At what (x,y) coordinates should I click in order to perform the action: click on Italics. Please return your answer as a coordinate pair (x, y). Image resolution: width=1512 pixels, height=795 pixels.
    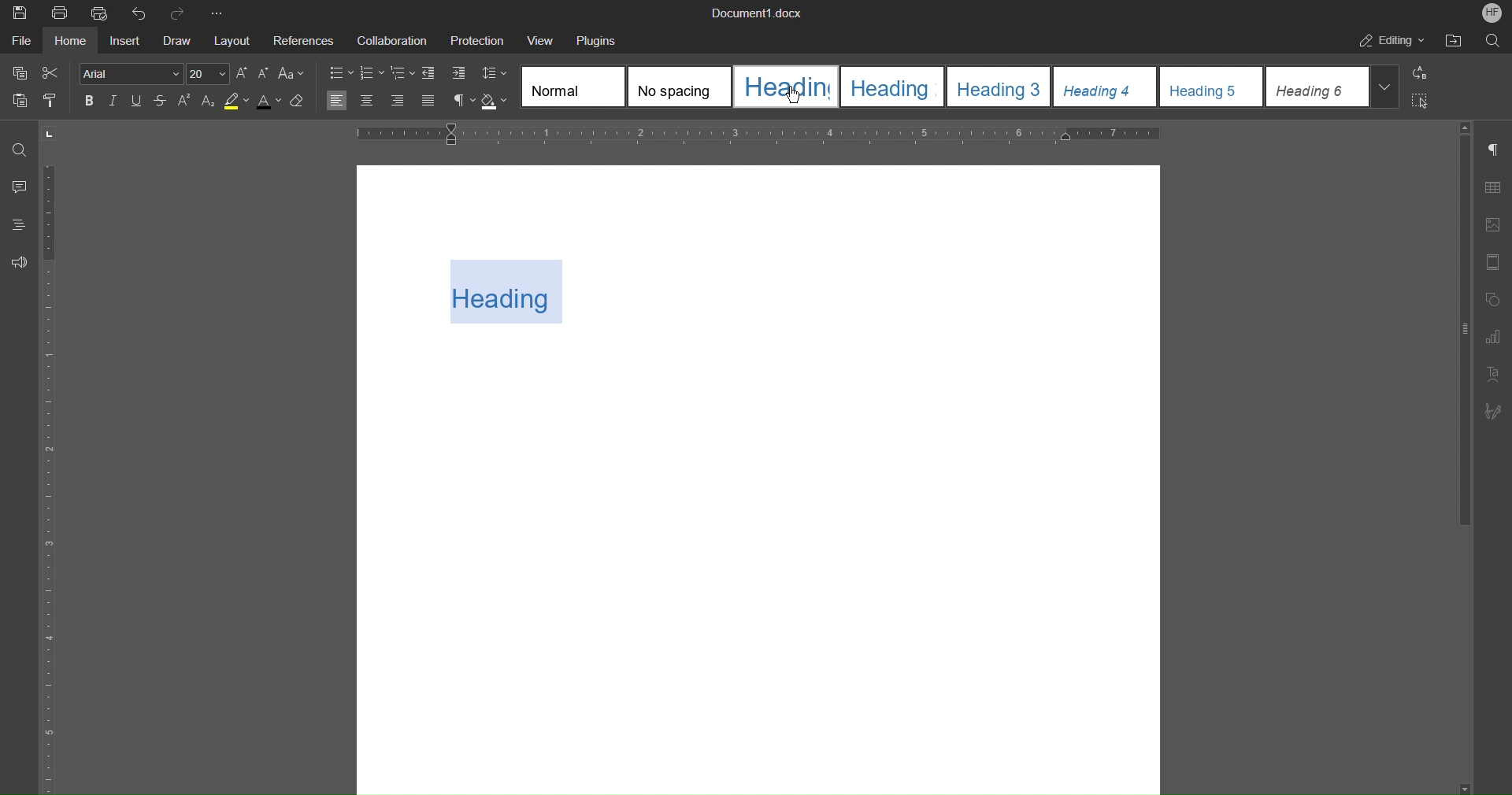
    Looking at the image, I should click on (113, 102).